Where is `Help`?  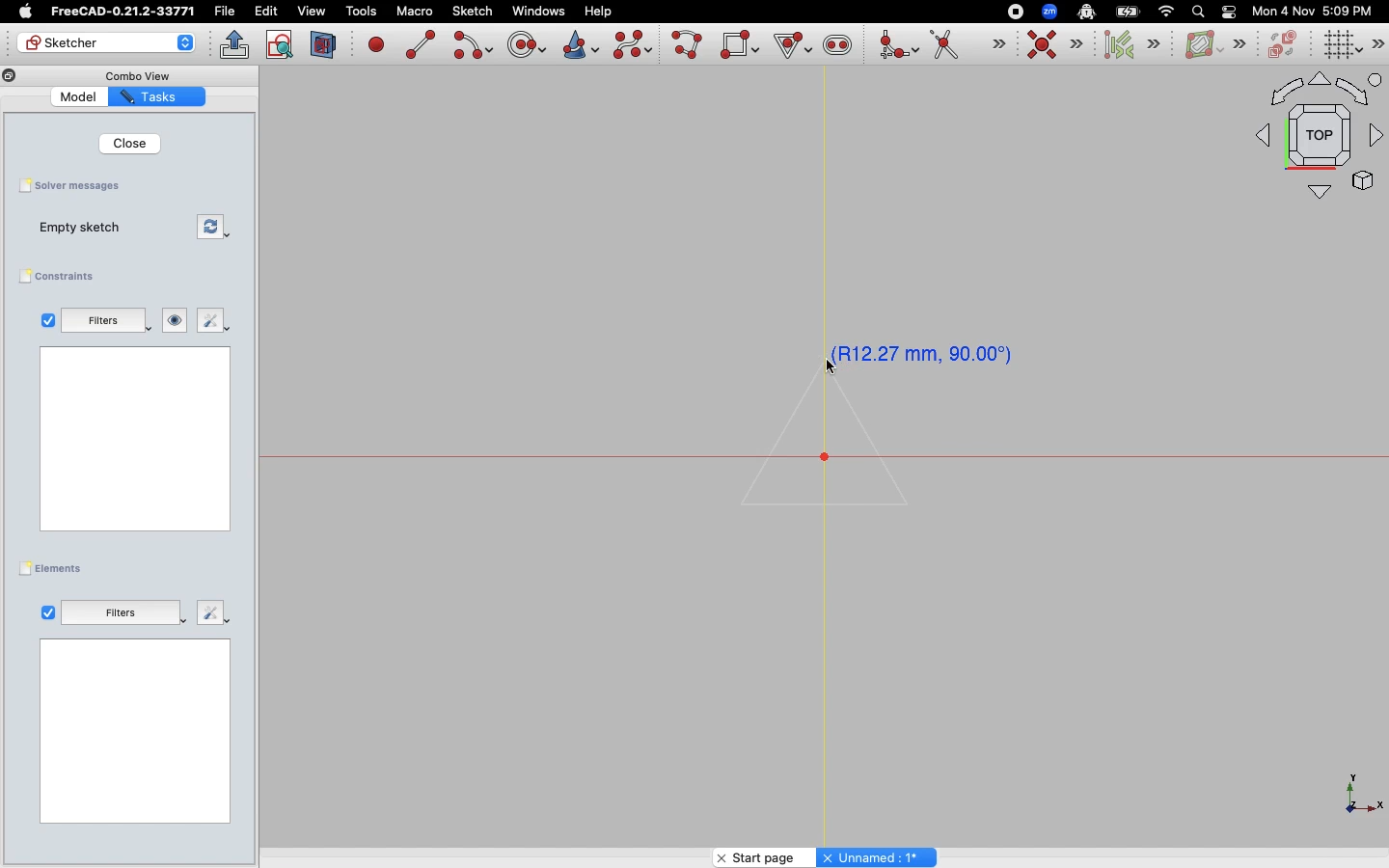
Help is located at coordinates (599, 10).